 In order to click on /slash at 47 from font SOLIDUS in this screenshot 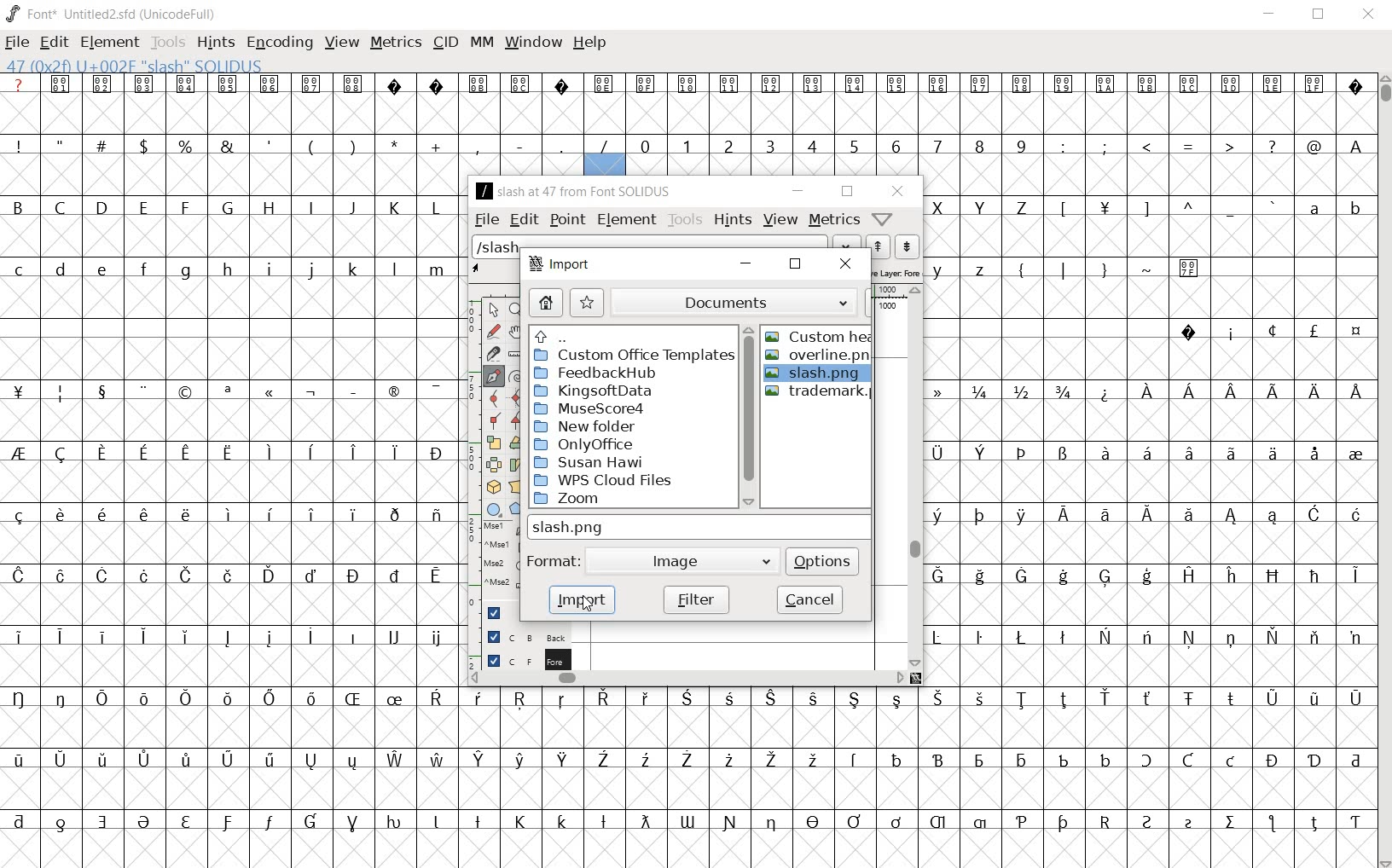, I will do `click(573, 191)`.